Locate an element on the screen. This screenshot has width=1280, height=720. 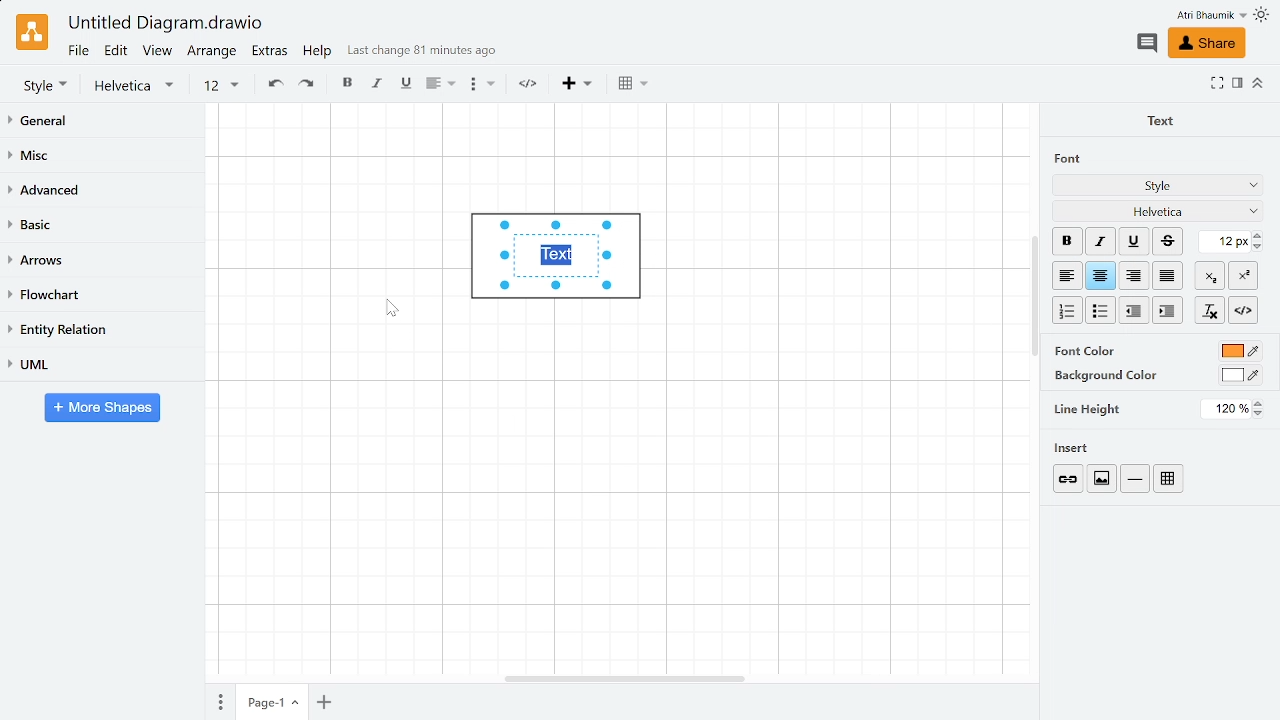
Decrease indent is located at coordinates (1167, 310).